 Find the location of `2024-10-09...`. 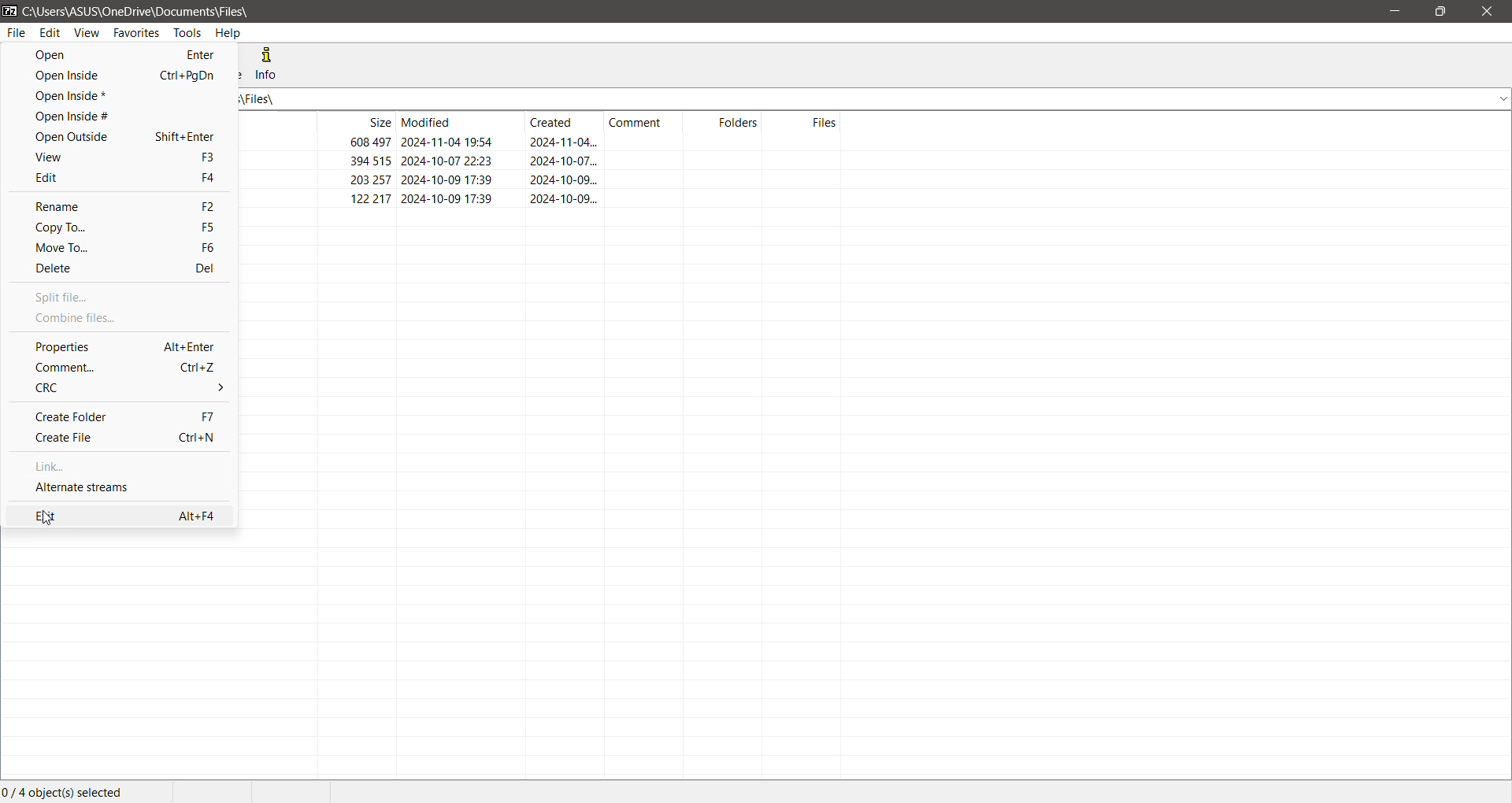

2024-10-09... is located at coordinates (565, 179).